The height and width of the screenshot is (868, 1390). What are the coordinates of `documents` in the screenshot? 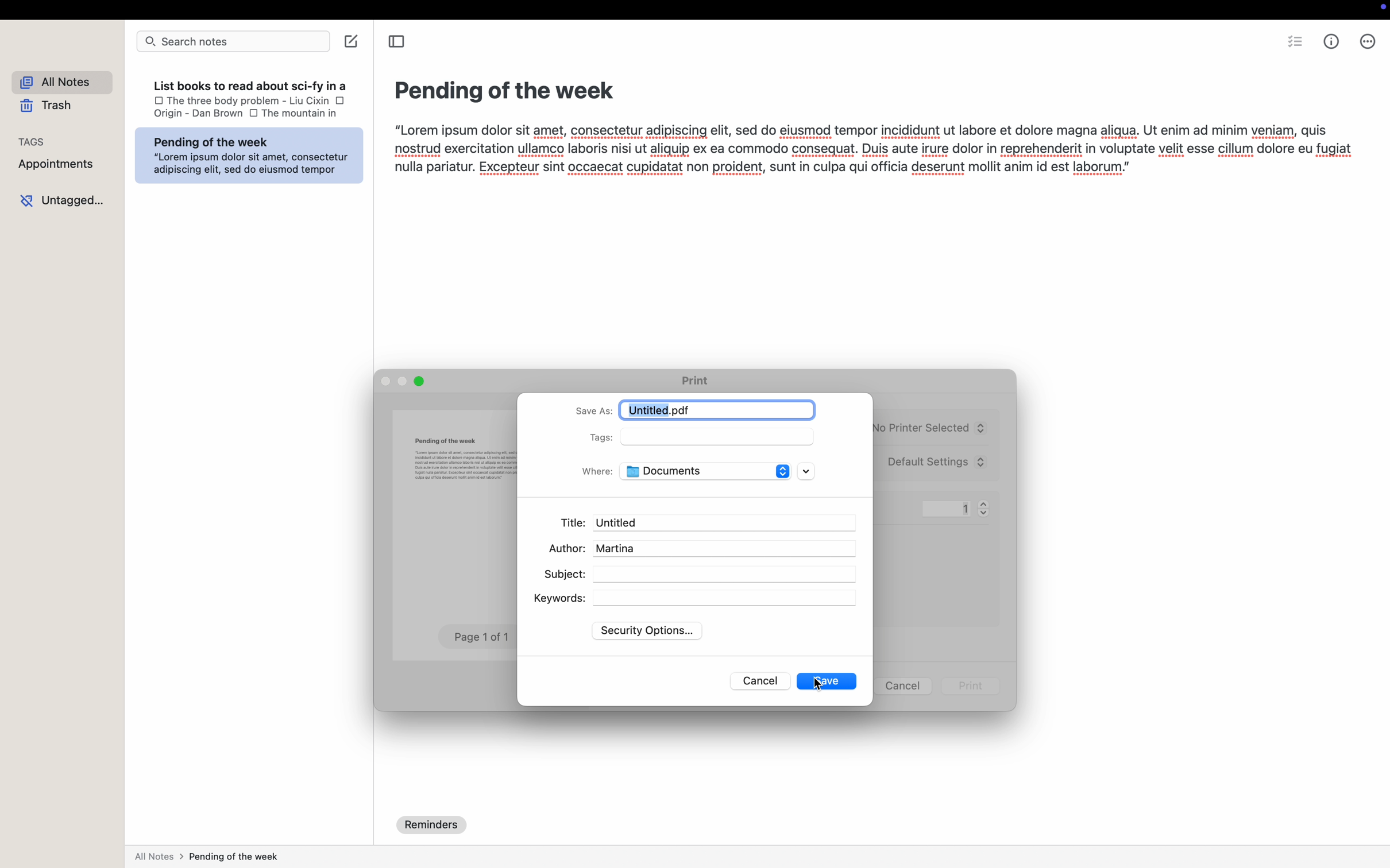 It's located at (715, 468).